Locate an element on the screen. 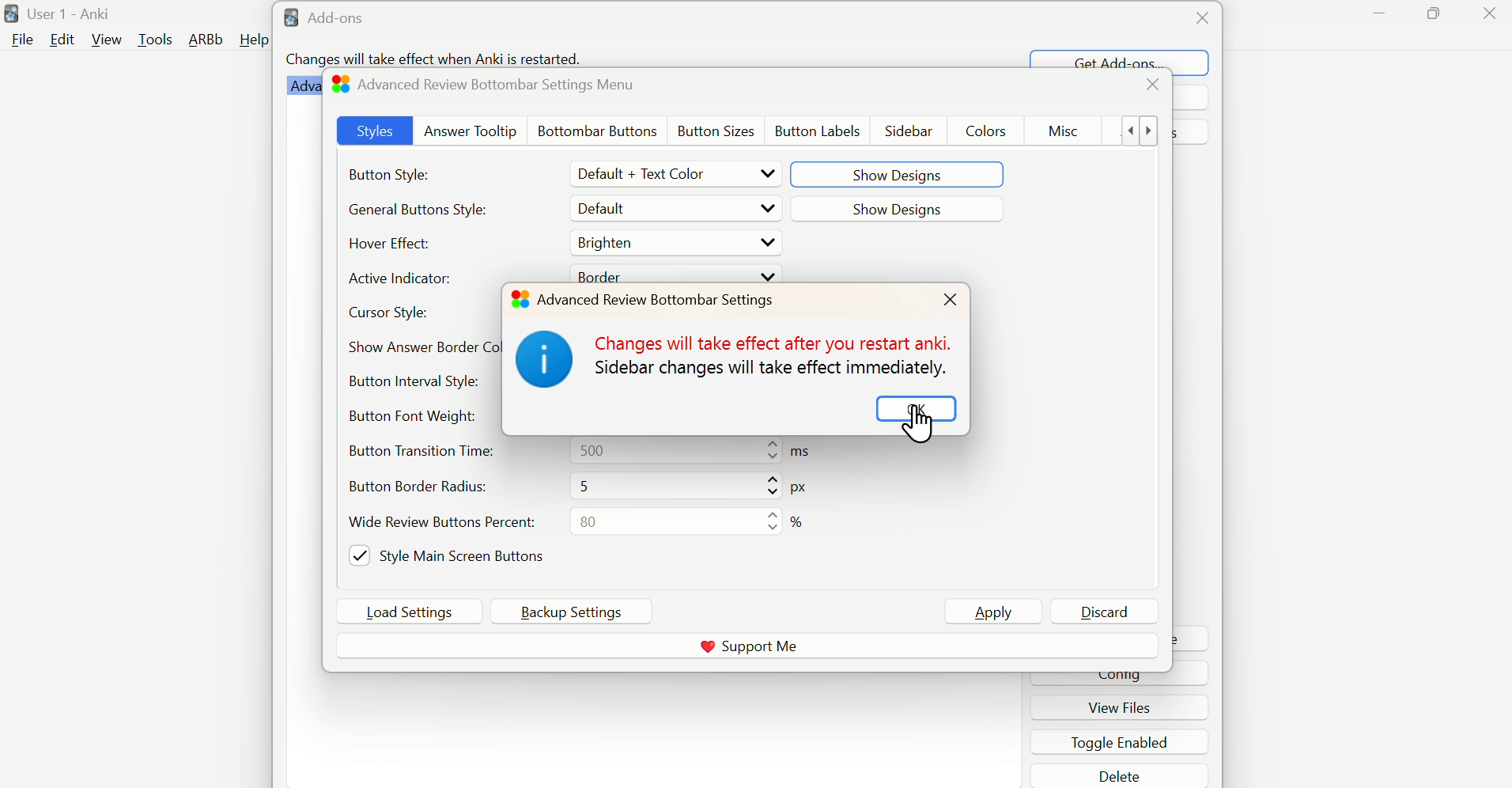 The width and height of the screenshot is (1512, 788). Button Style: is located at coordinates (385, 172).